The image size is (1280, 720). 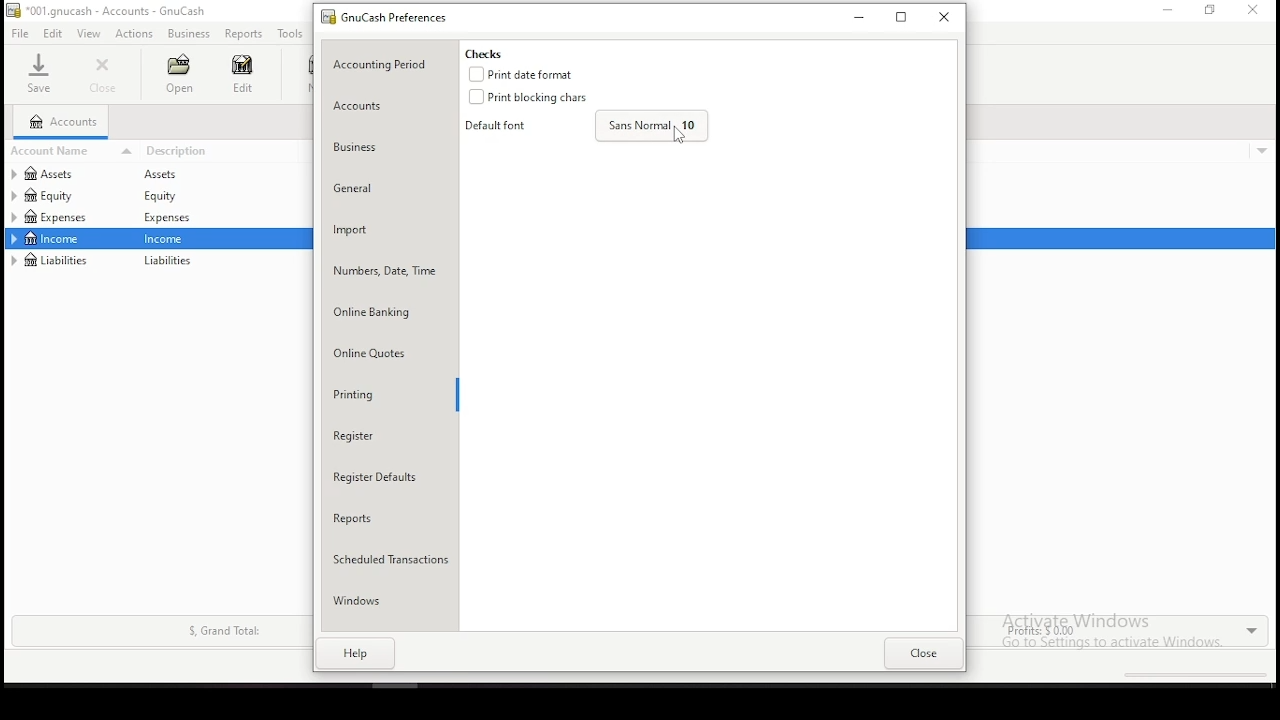 What do you see at coordinates (370, 148) in the screenshot?
I see `business` at bounding box center [370, 148].